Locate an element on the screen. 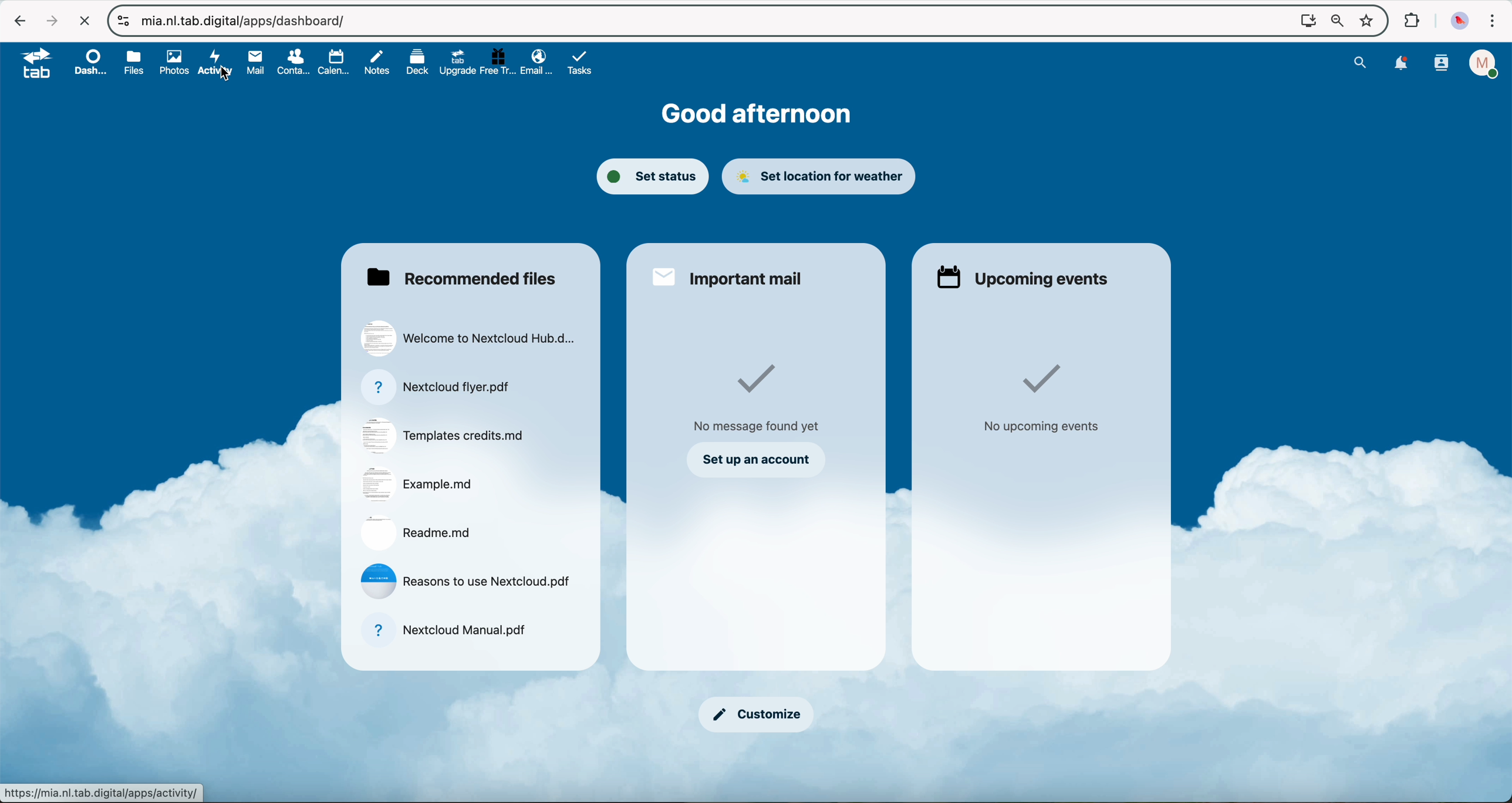 This screenshot has height=803, width=1512. file is located at coordinates (420, 485).